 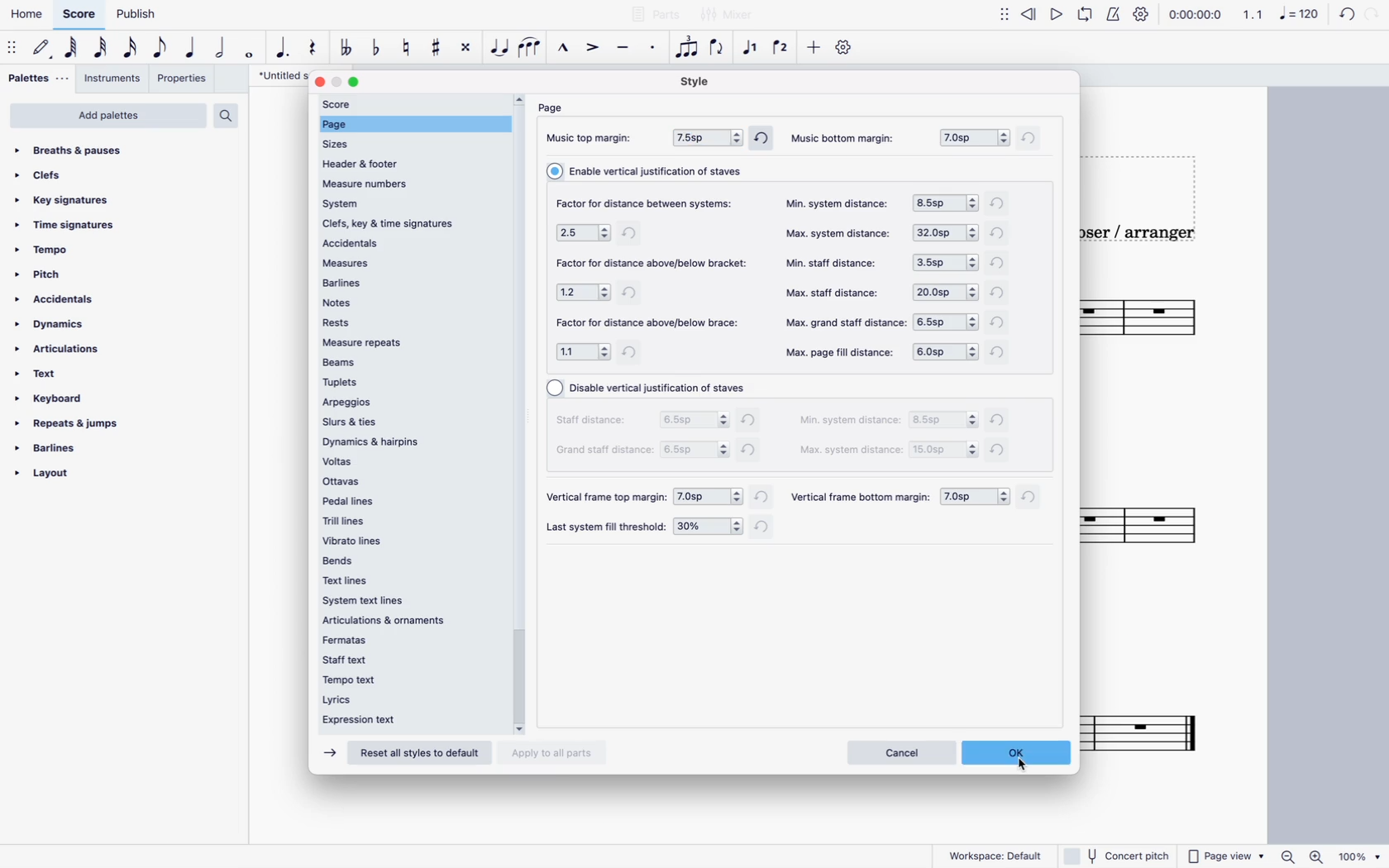 What do you see at coordinates (79, 15) in the screenshot?
I see `score` at bounding box center [79, 15].